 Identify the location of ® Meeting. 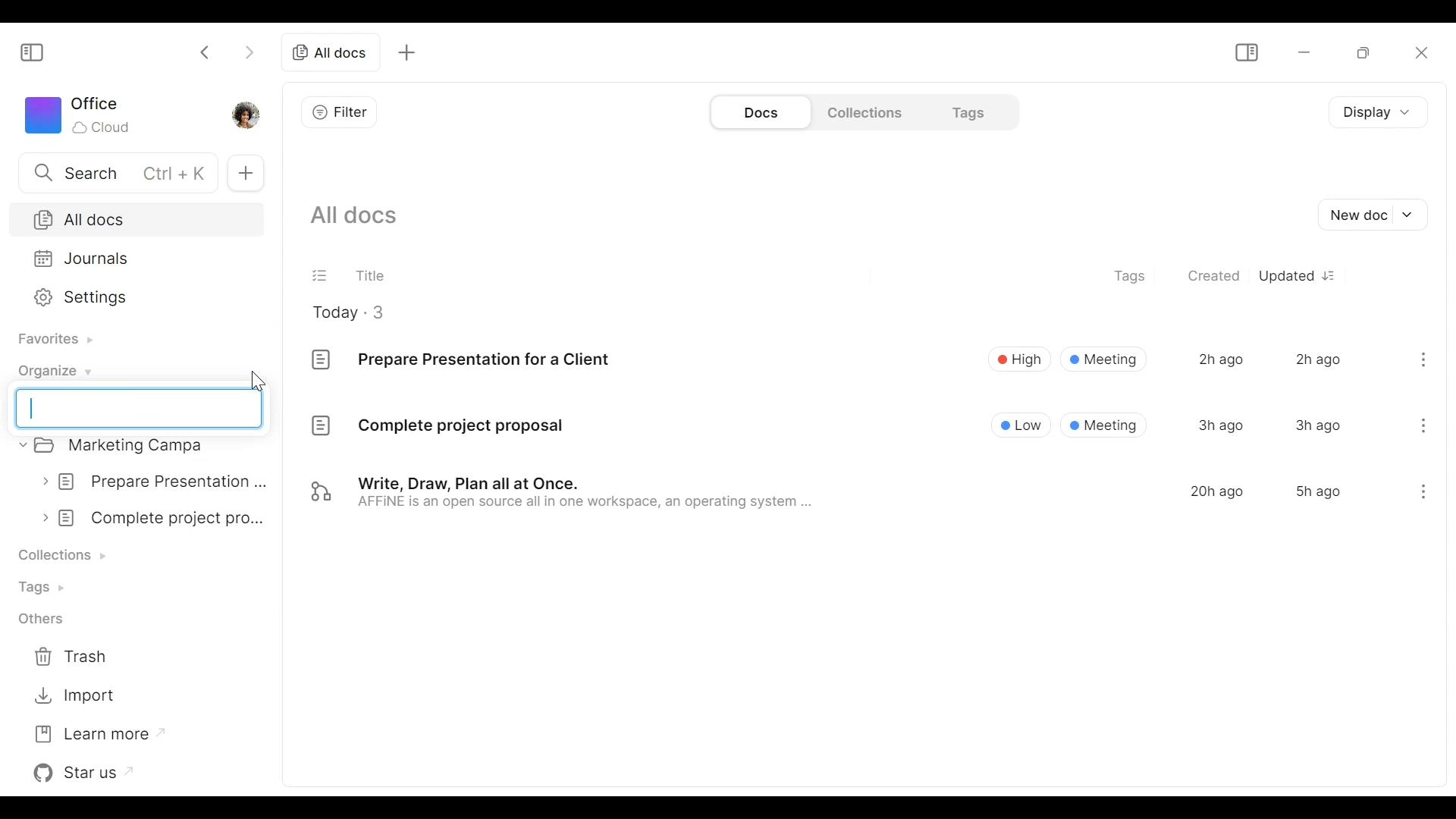
(1105, 425).